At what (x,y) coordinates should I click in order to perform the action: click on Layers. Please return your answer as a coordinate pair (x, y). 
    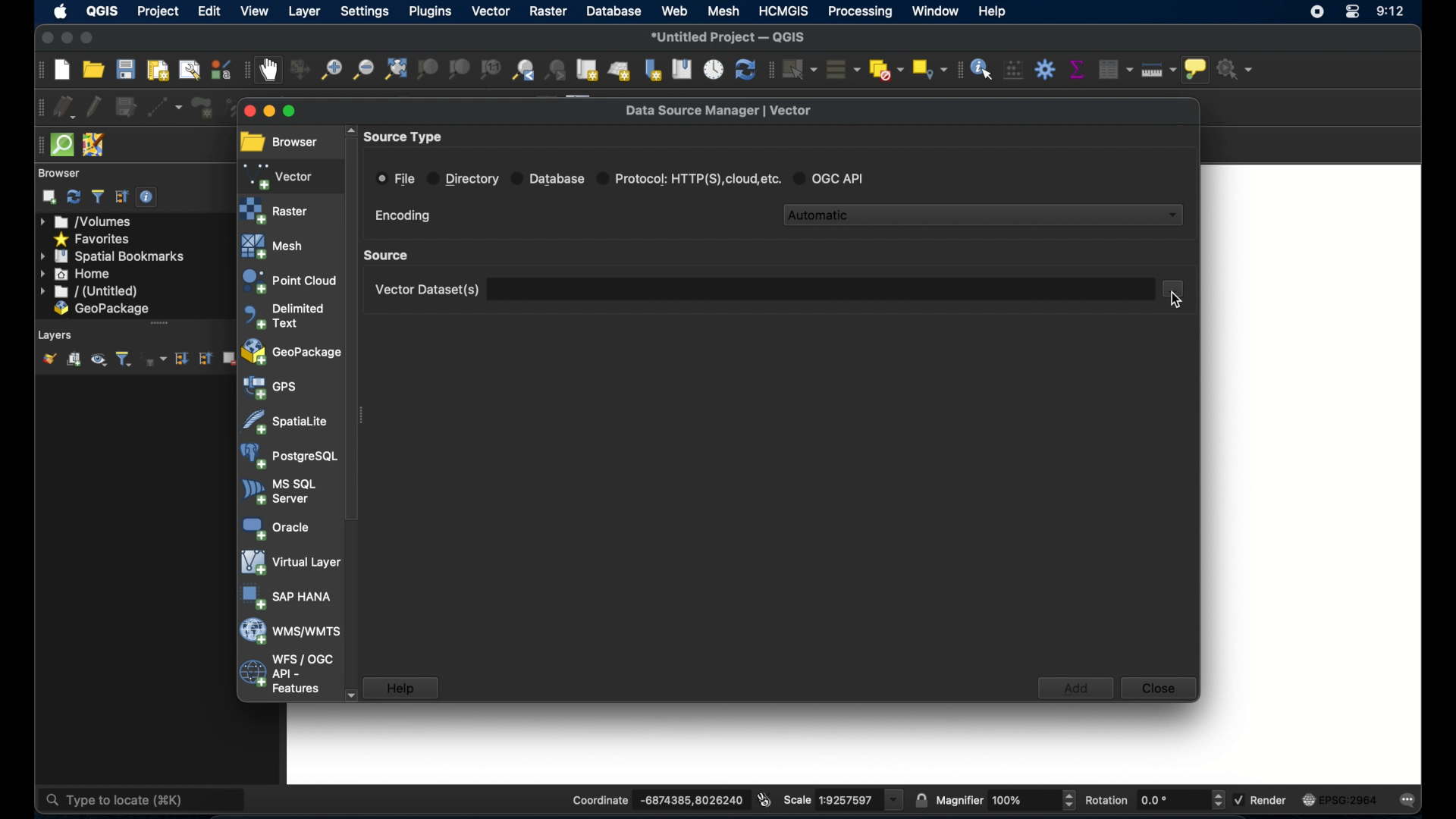
    Looking at the image, I should click on (52, 335).